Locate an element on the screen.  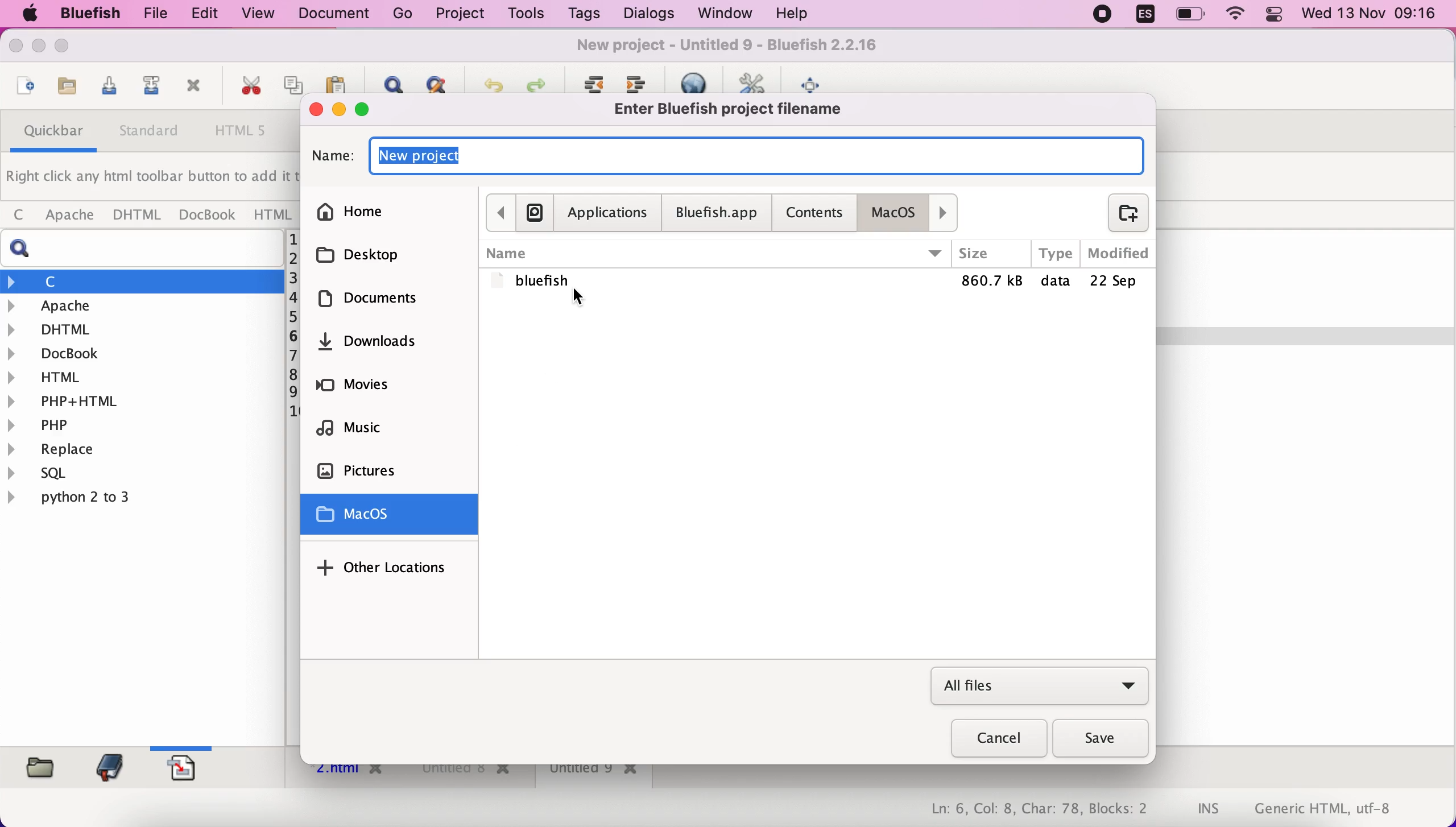
indent is located at coordinates (640, 81).